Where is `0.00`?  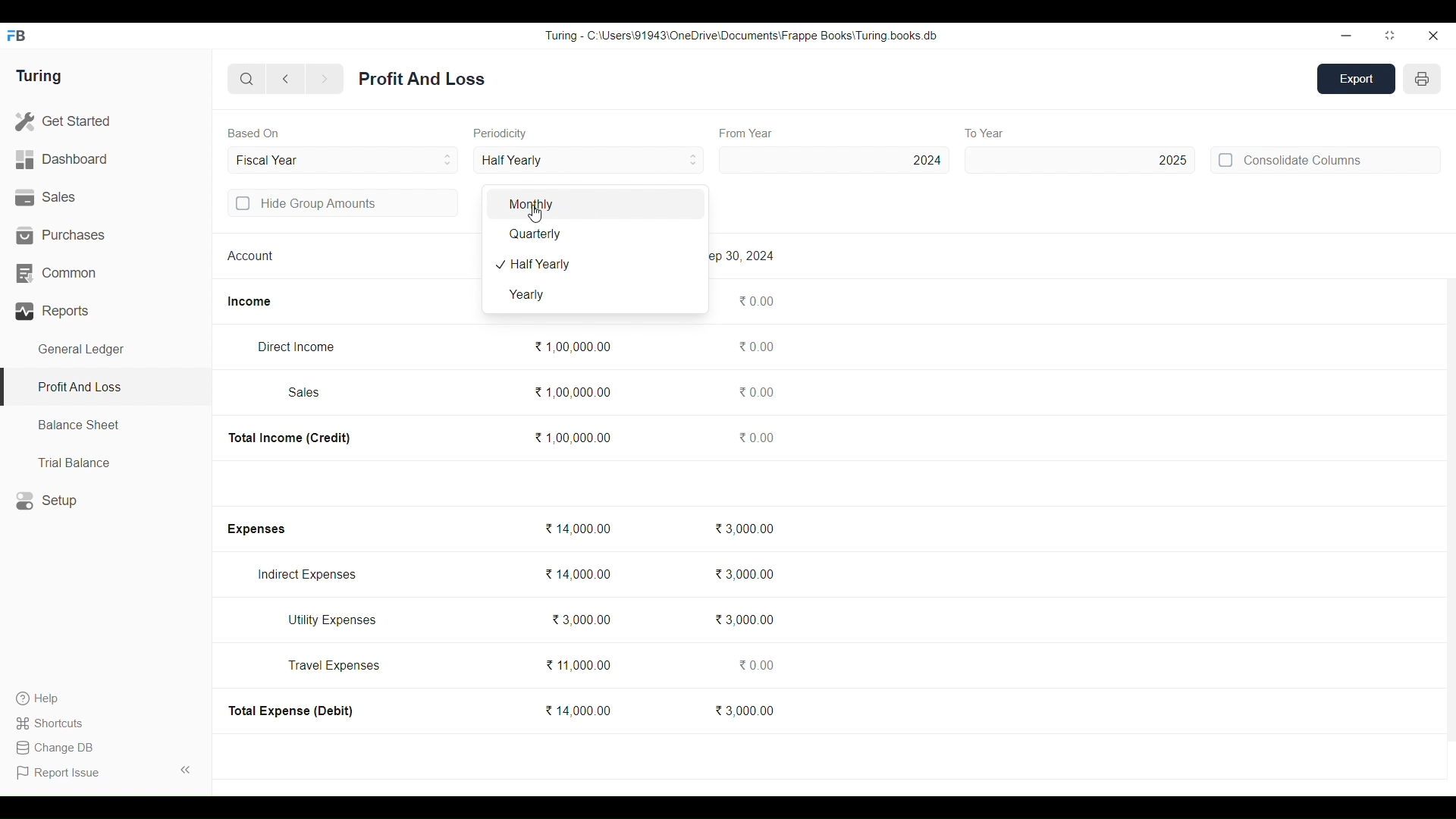 0.00 is located at coordinates (755, 347).